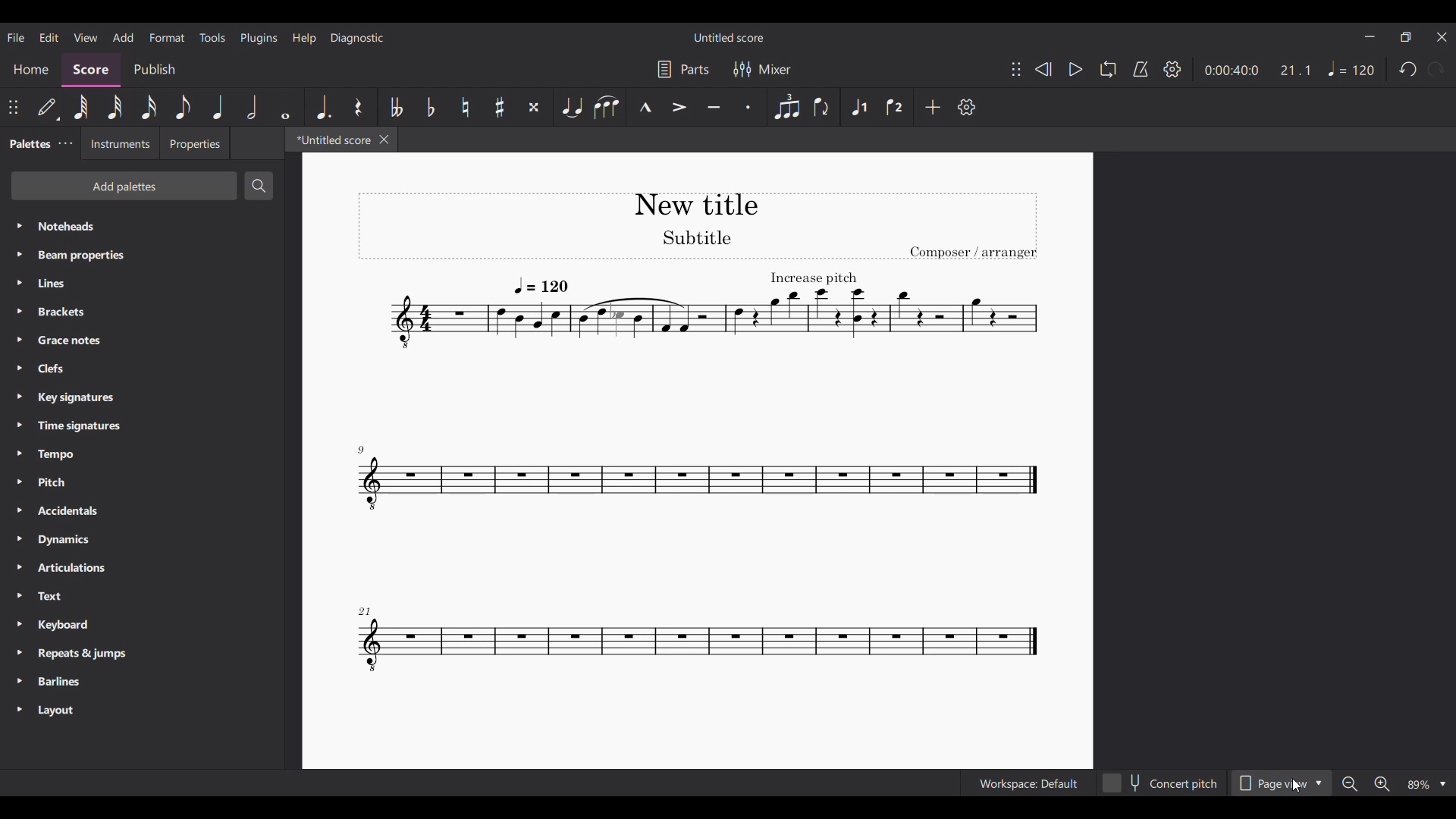  Describe the element at coordinates (1016, 69) in the screenshot. I see `Change position` at that location.